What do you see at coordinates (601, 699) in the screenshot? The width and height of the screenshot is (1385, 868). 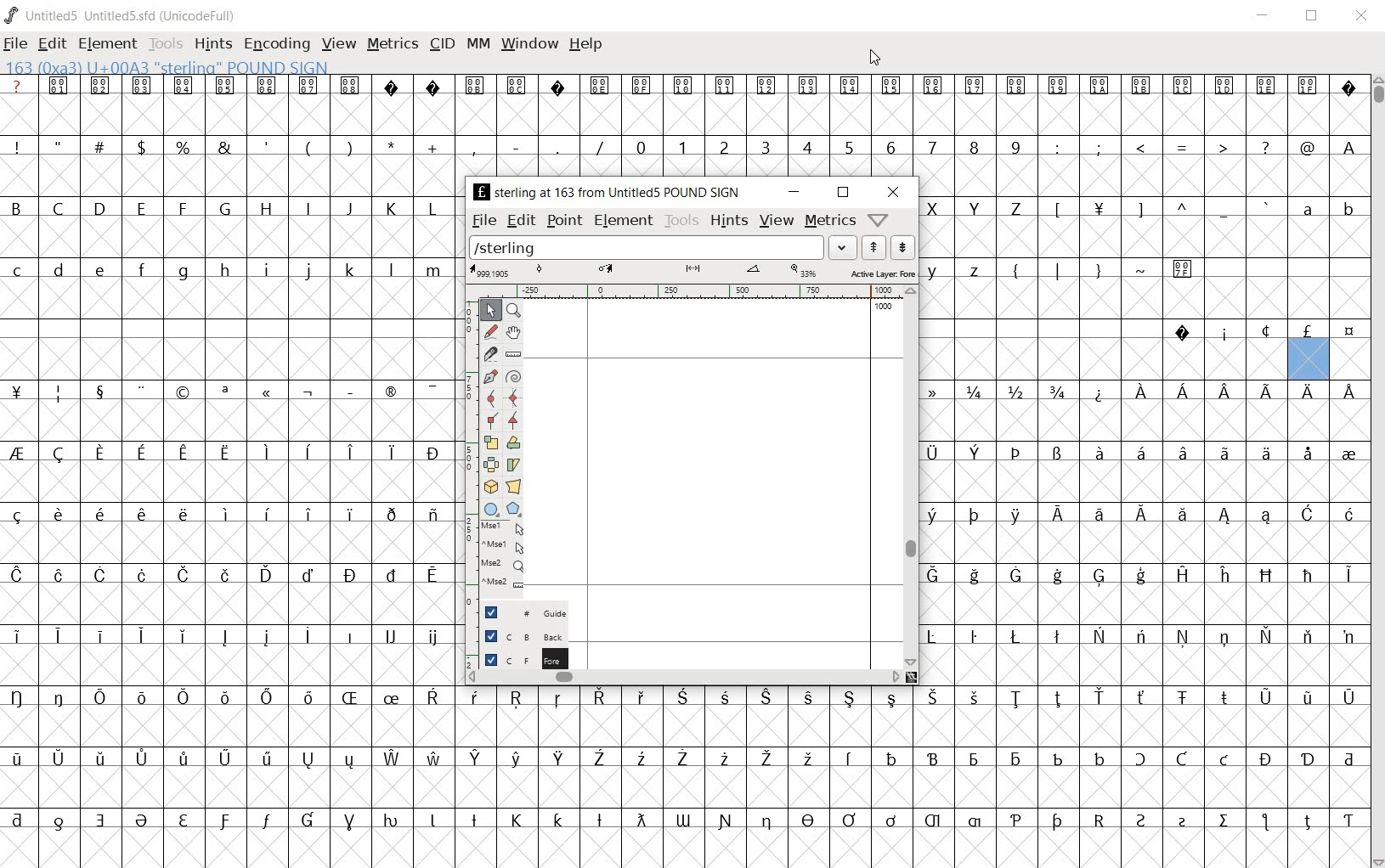 I see `Symbol` at bounding box center [601, 699].